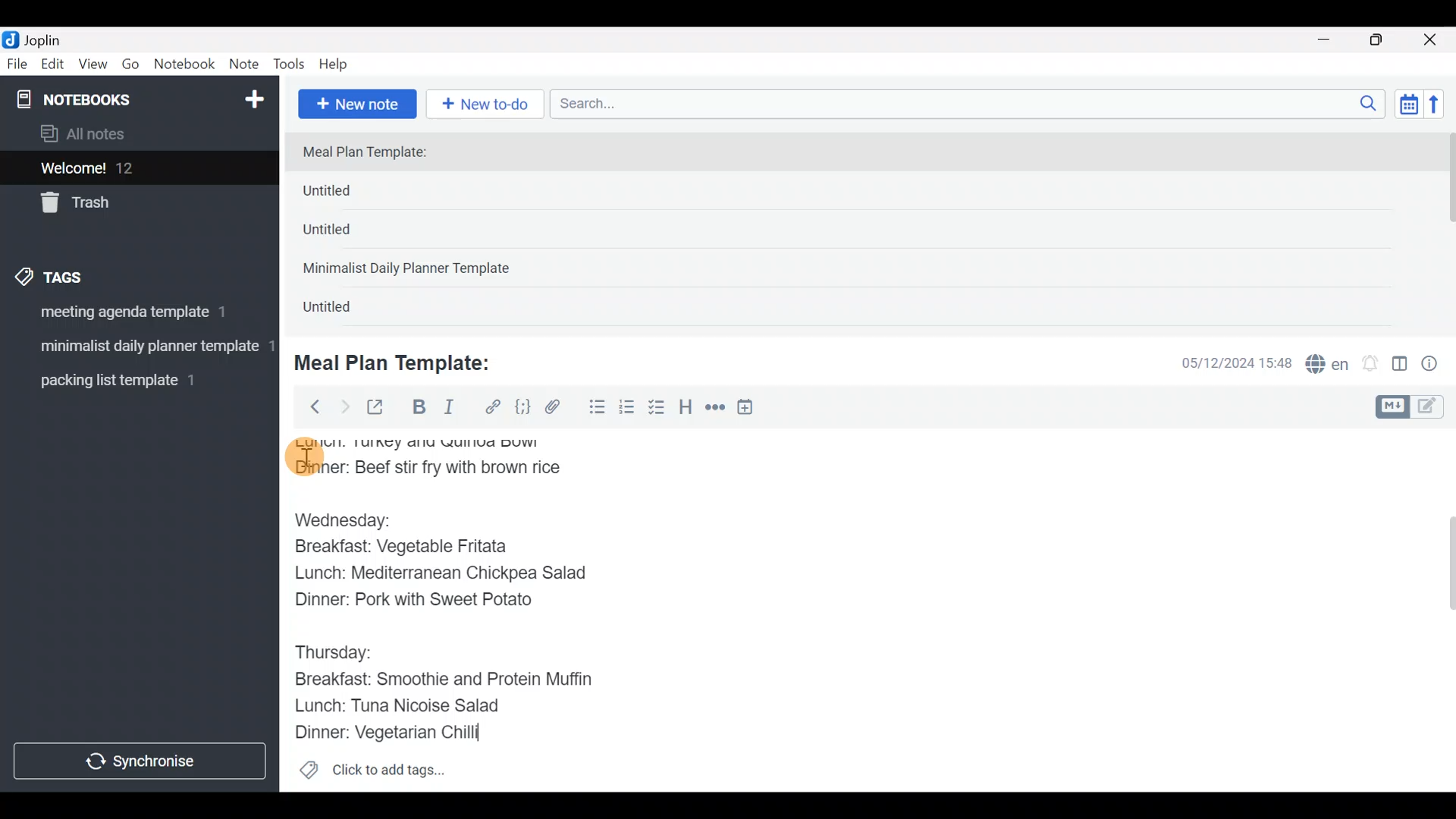  I want to click on Dinner: Vegetarian Chilli, so click(401, 730).